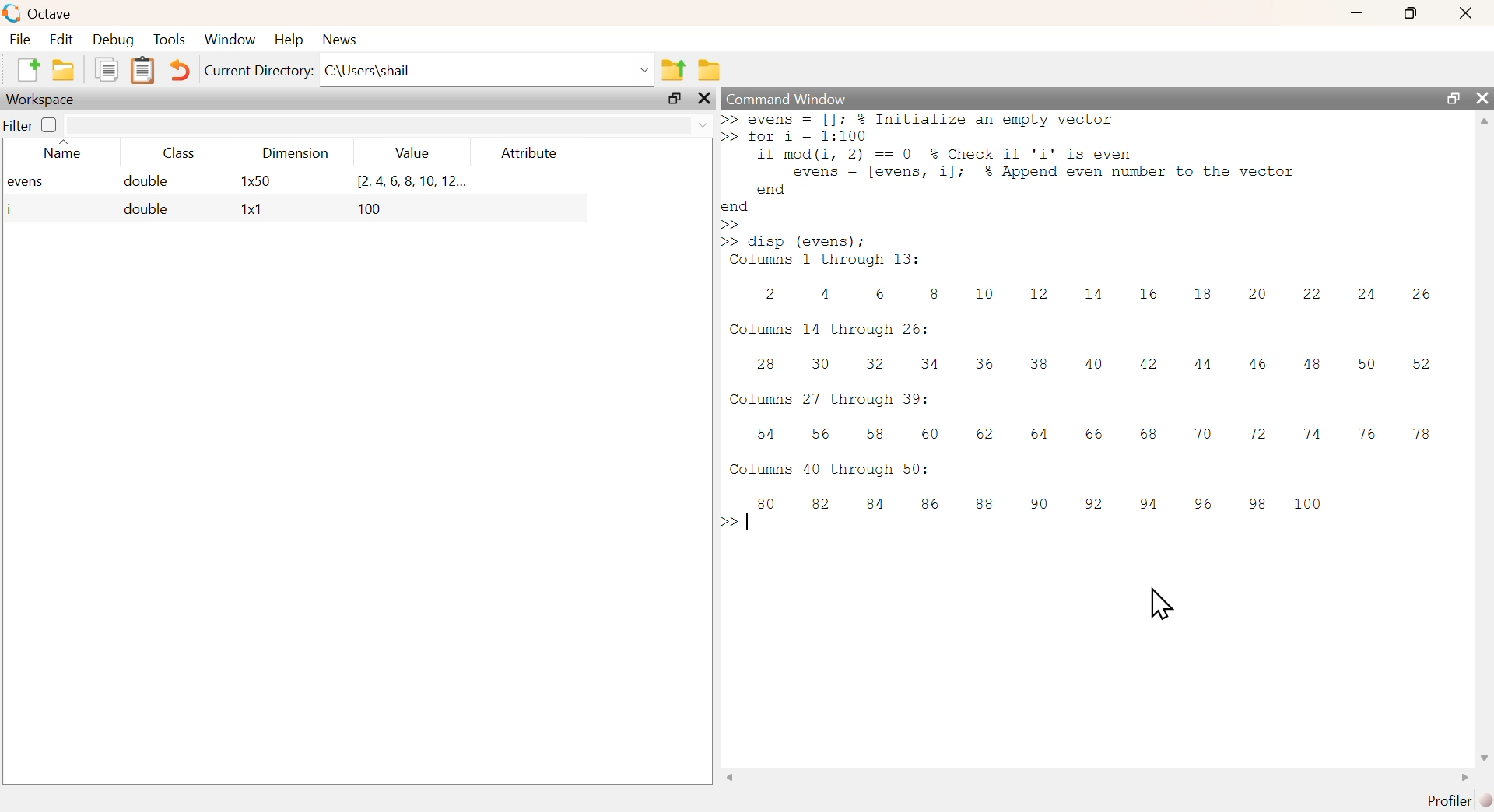 Image resolution: width=1494 pixels, height=812 pixels. What do you see at coordinates (708, 70) in the screenshot?
I see `browse directories` at bounding box center [708, 70].